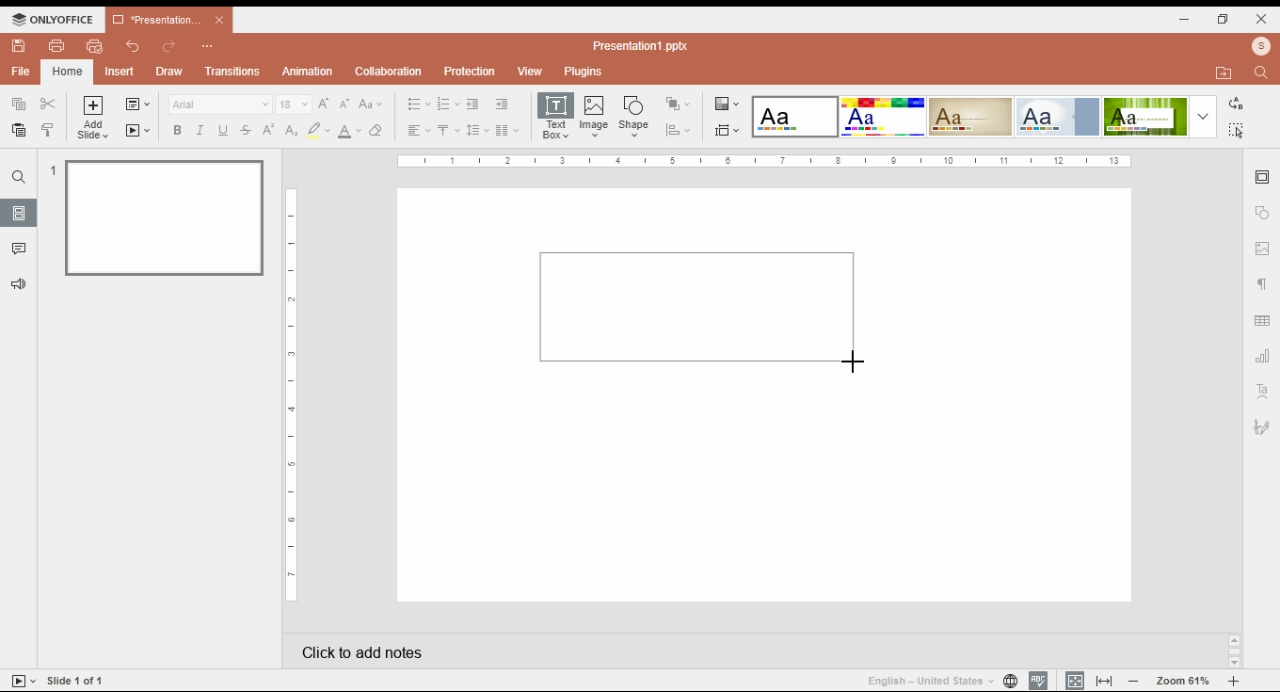 Image resolution: width=1280 pixels, height=692 pixels. I want to click on minimize, so click(1188, 20).